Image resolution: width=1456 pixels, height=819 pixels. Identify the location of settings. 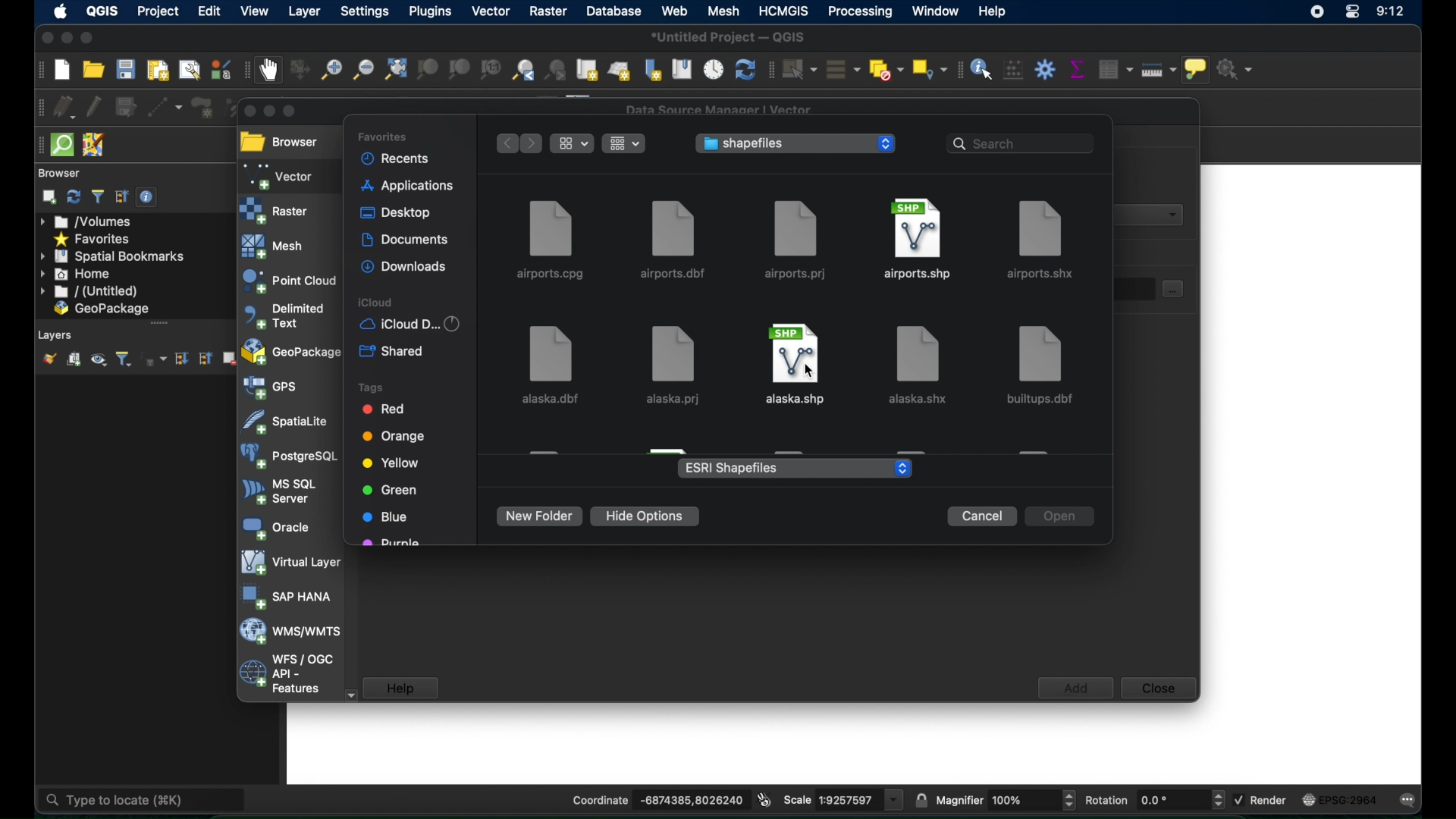
(363, 11).